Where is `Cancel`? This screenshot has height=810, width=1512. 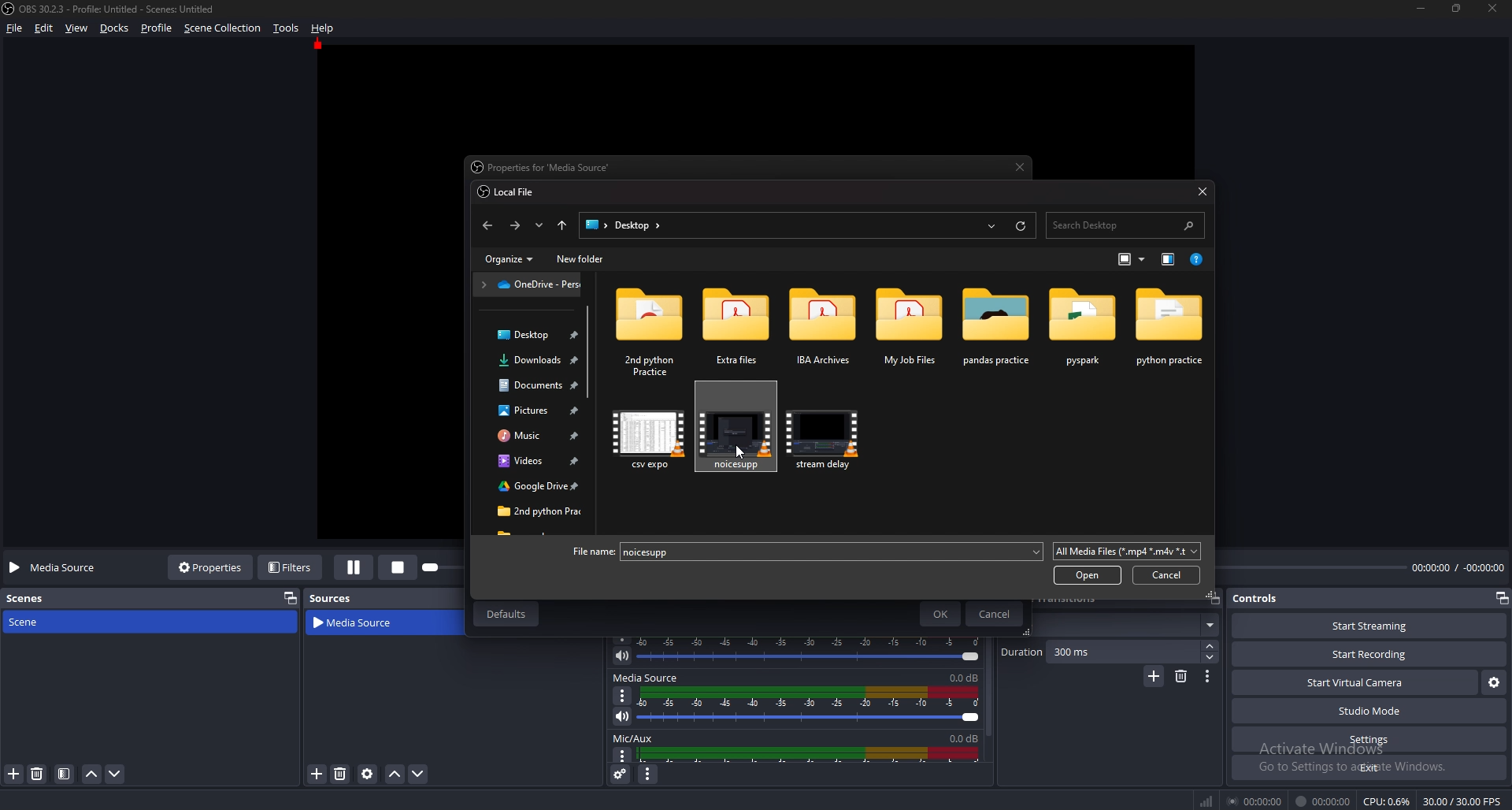 Cancel is located at coordinates (995, 614).